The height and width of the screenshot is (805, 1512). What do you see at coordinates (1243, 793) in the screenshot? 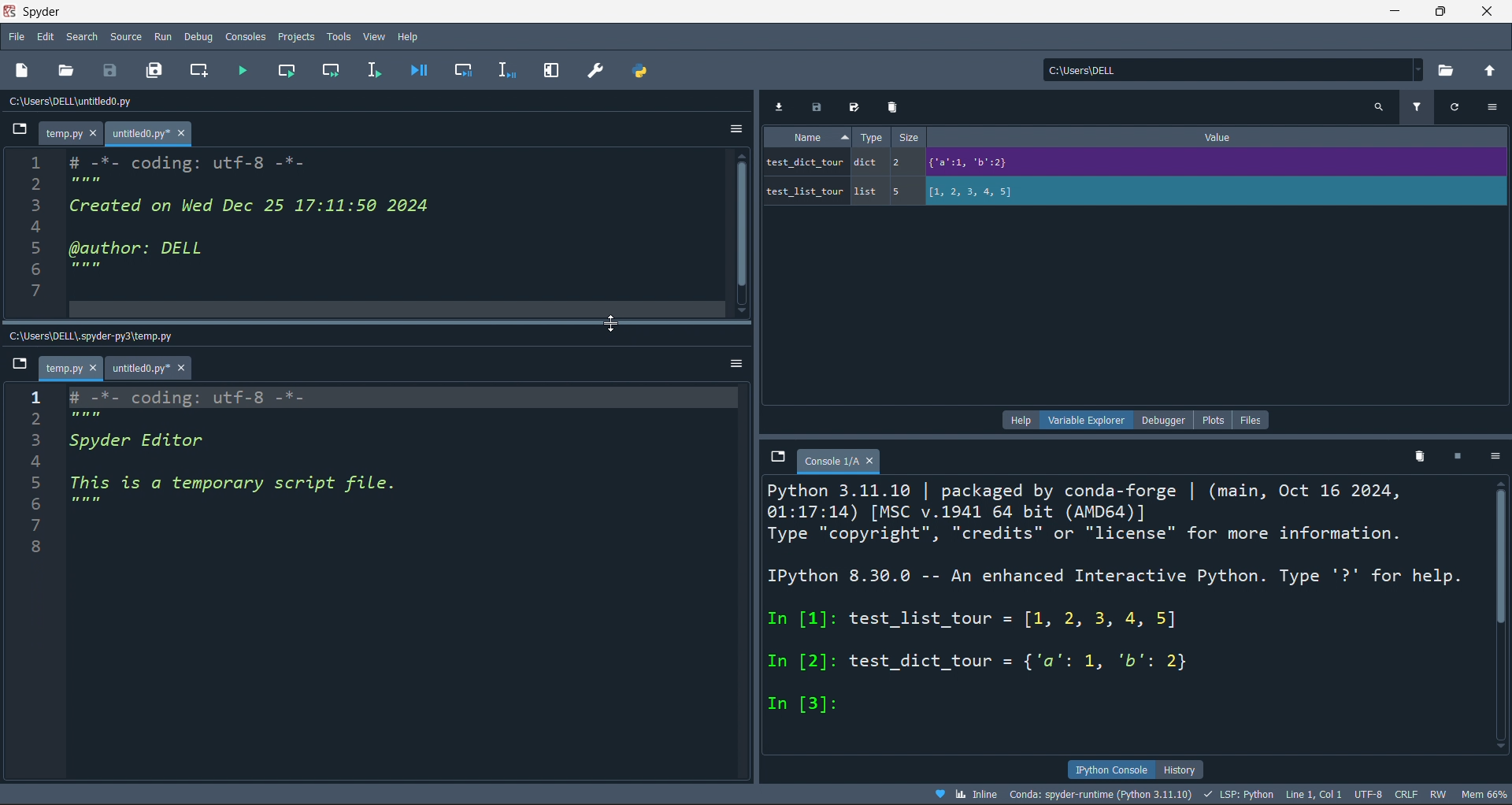
I see `LSP: Python` at bounding box center [1243, 793].